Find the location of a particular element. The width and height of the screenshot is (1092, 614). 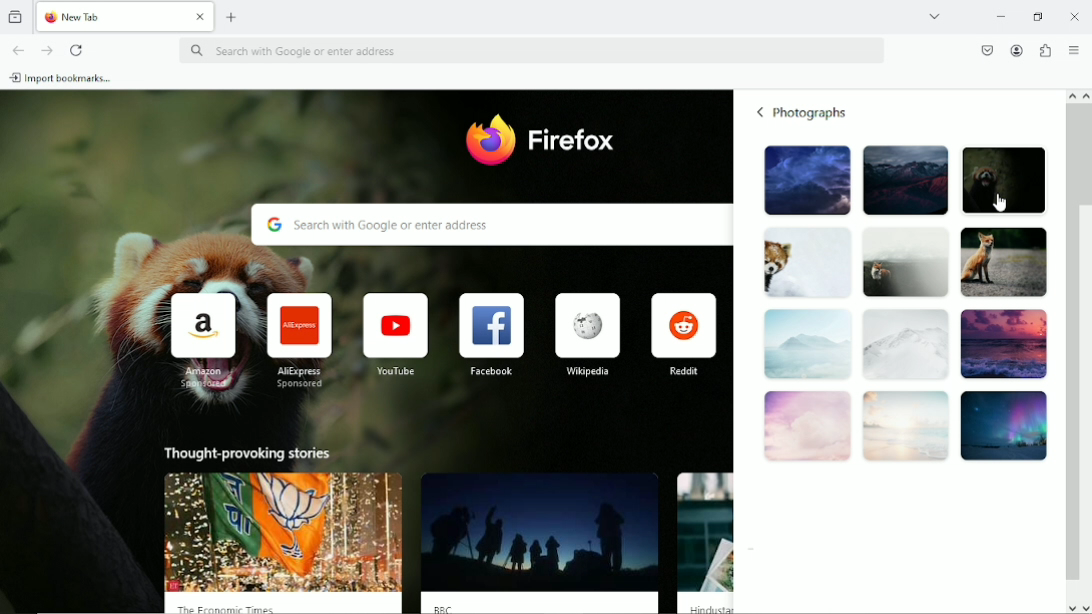

scroll down is located at coordinates (1085, 608).